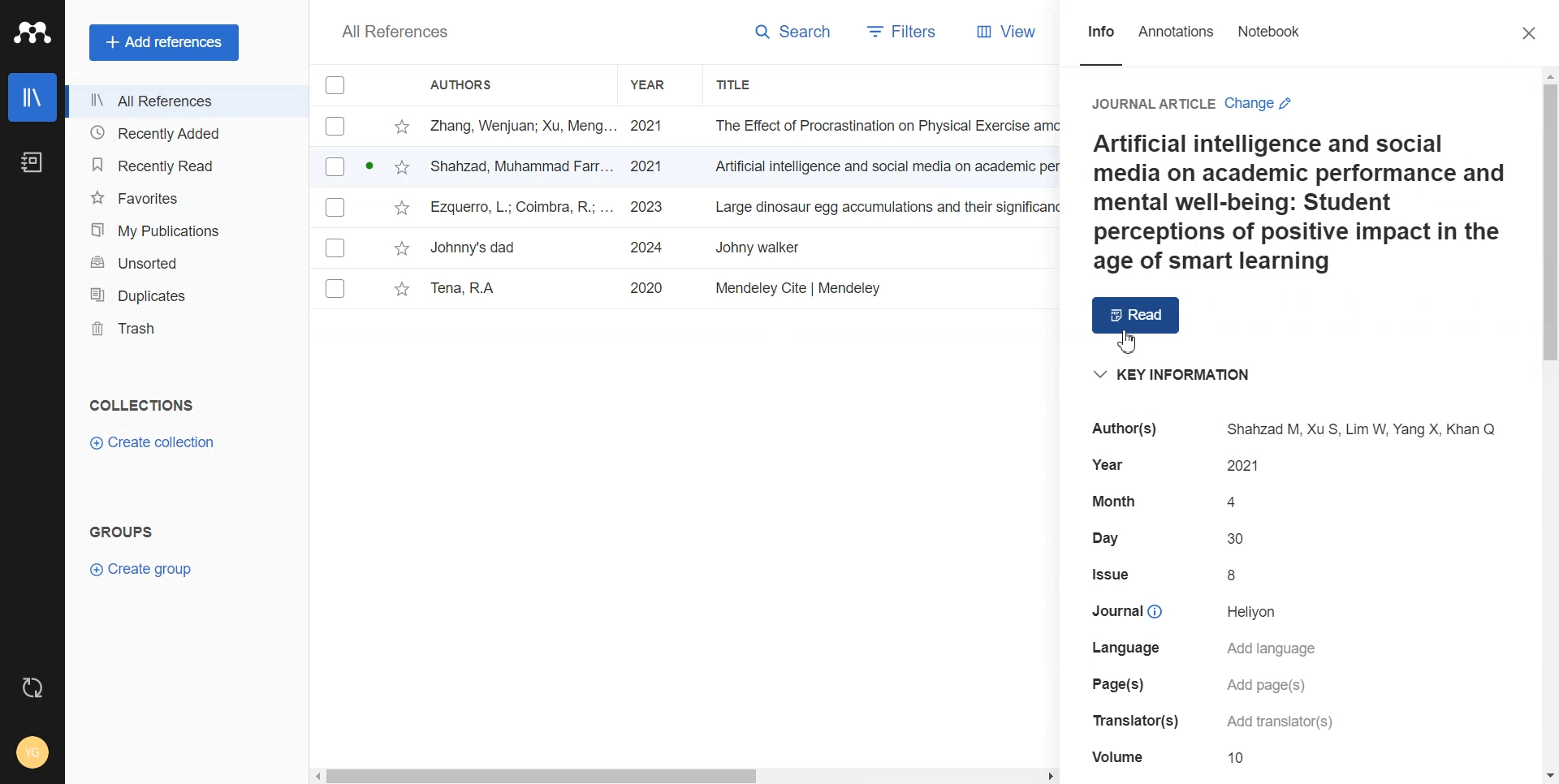 This screenshot has height=784, width=1559. Describe the element at coordinates (896, 33) in the screenshot. I see `Filters` at that location.